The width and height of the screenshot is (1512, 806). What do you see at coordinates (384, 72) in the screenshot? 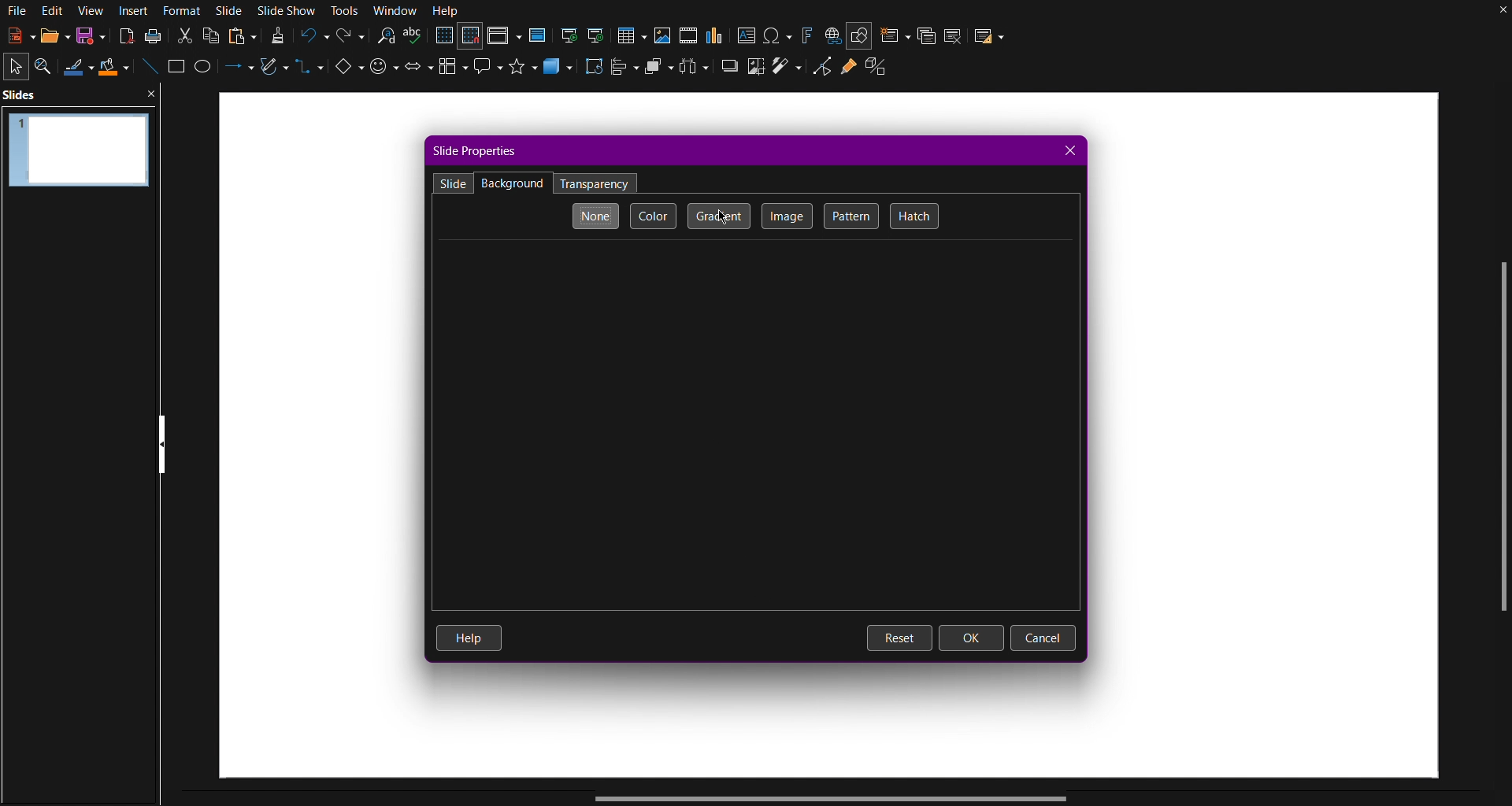
I see `Symbol Shapes` at bounding box center [384, 72].